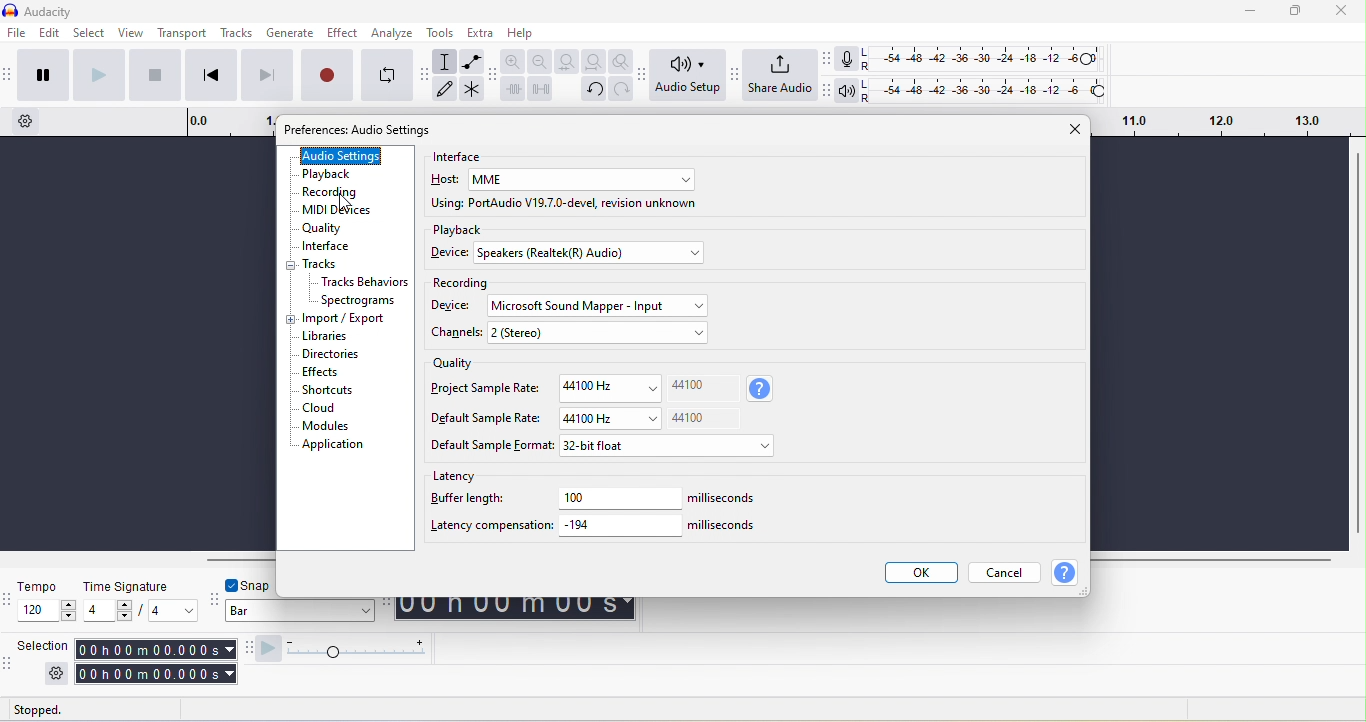 This screenshot has width=1366, height=722. What do you see at coordinates (595, 61) in the screenshot?
I see `fit project to width` at bounding box center [595, 61].